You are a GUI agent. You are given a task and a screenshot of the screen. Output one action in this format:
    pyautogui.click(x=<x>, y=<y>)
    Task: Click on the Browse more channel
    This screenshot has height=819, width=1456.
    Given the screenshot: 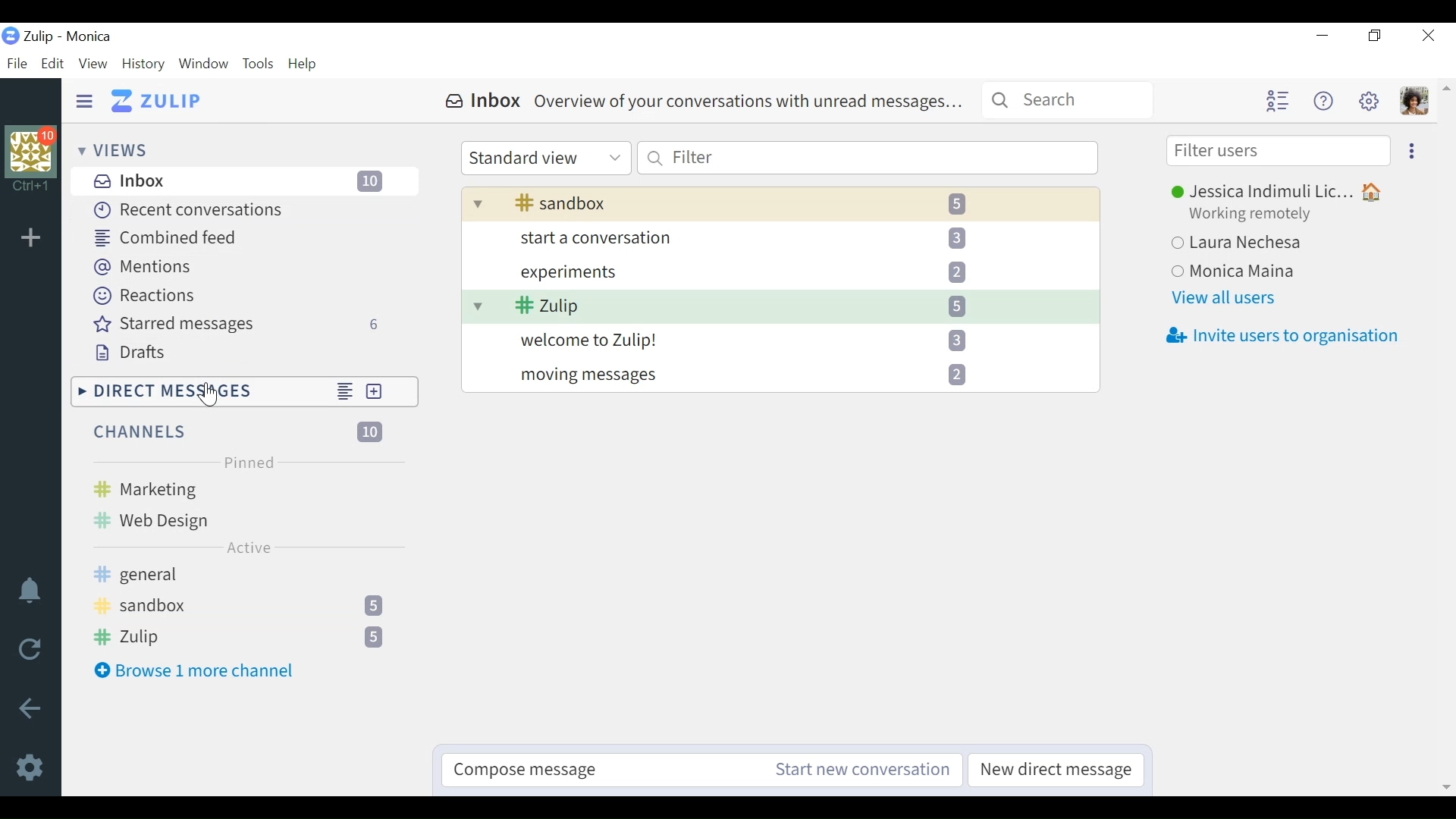 What is the action you would take?
    pyautogui.click(x=197, y=672)
    